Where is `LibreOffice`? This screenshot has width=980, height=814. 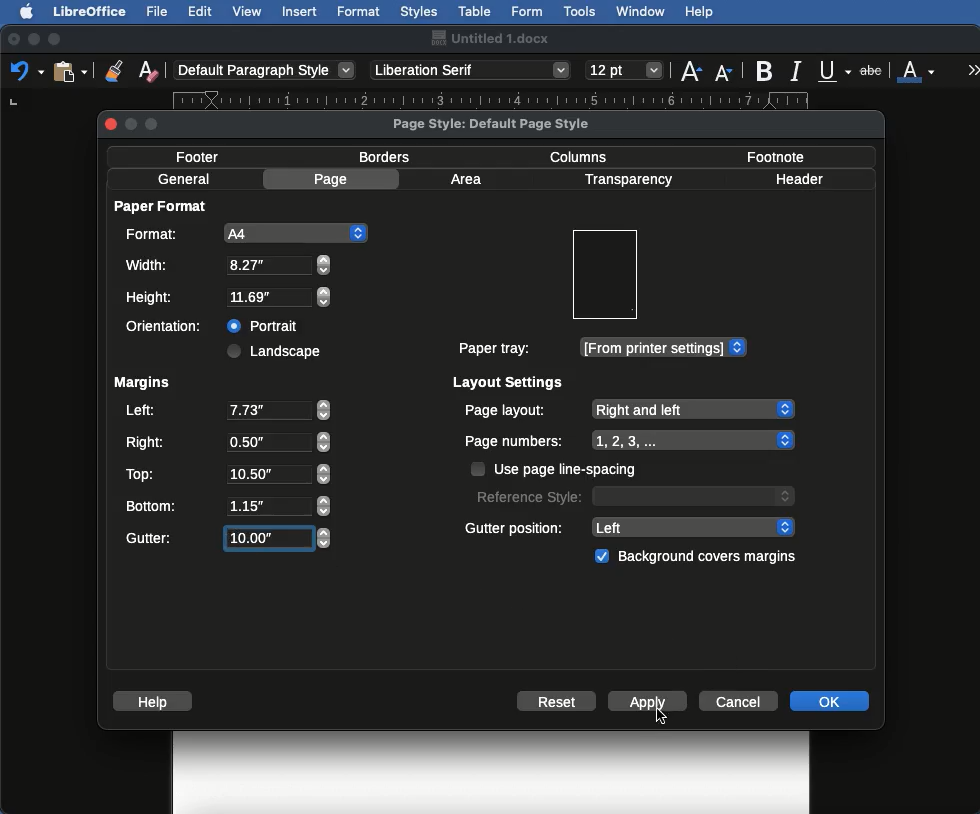 LibreOffice is located at coordinates (89, 11).